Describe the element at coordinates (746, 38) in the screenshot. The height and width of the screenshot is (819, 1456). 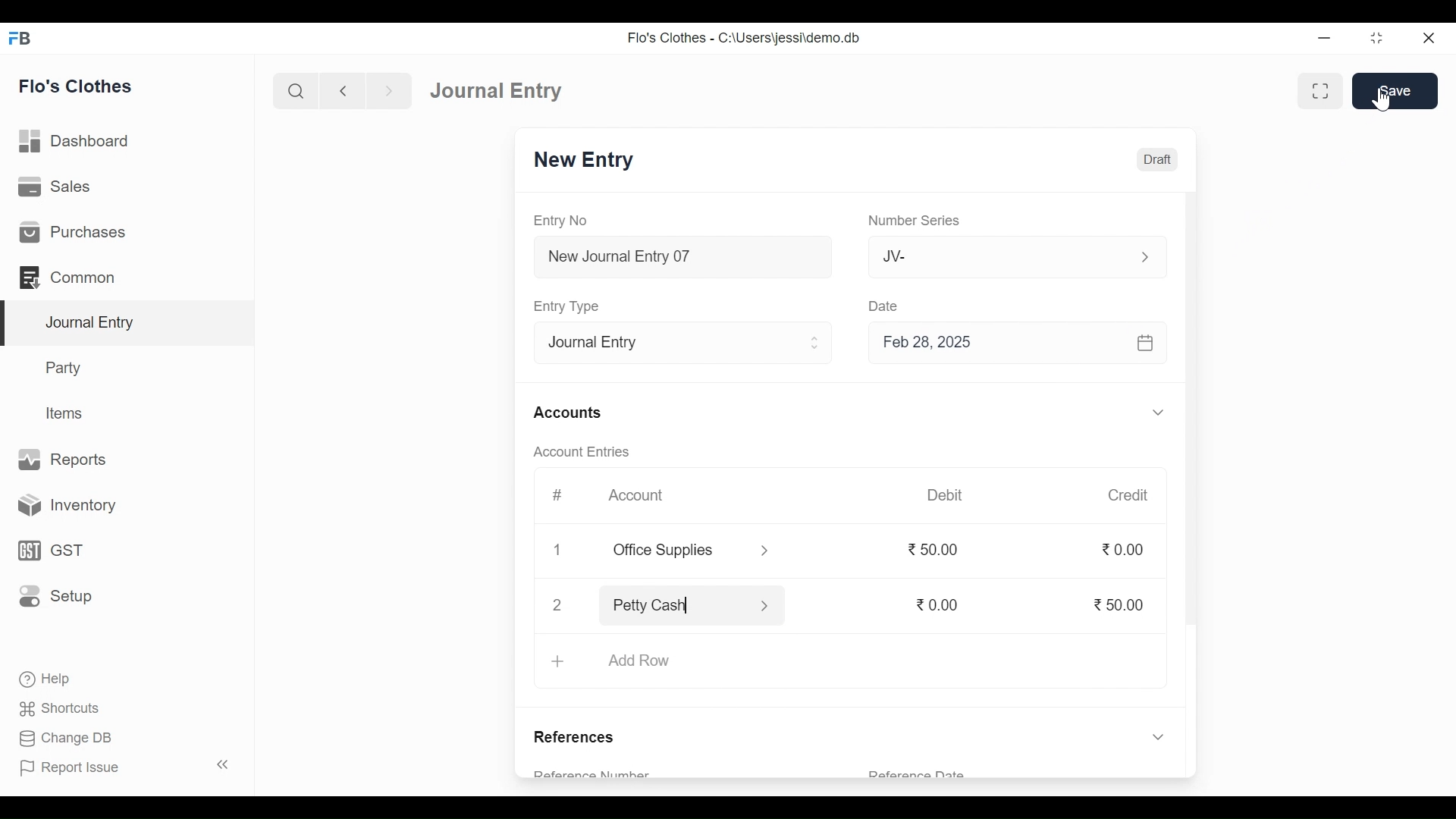
I see `Flo's Clothes - C:\Users\jessi\demo.db` at that location.